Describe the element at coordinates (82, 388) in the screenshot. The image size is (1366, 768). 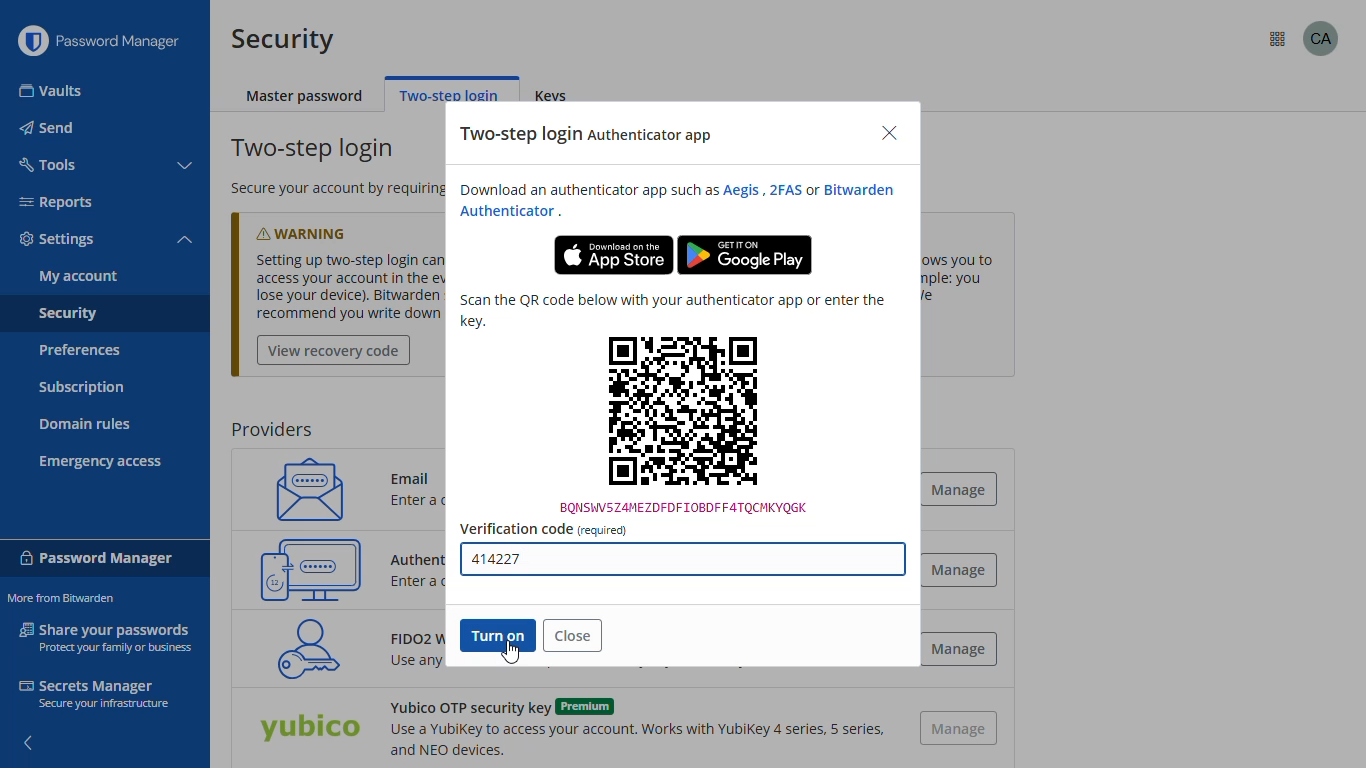
I see `subscription` at that location.